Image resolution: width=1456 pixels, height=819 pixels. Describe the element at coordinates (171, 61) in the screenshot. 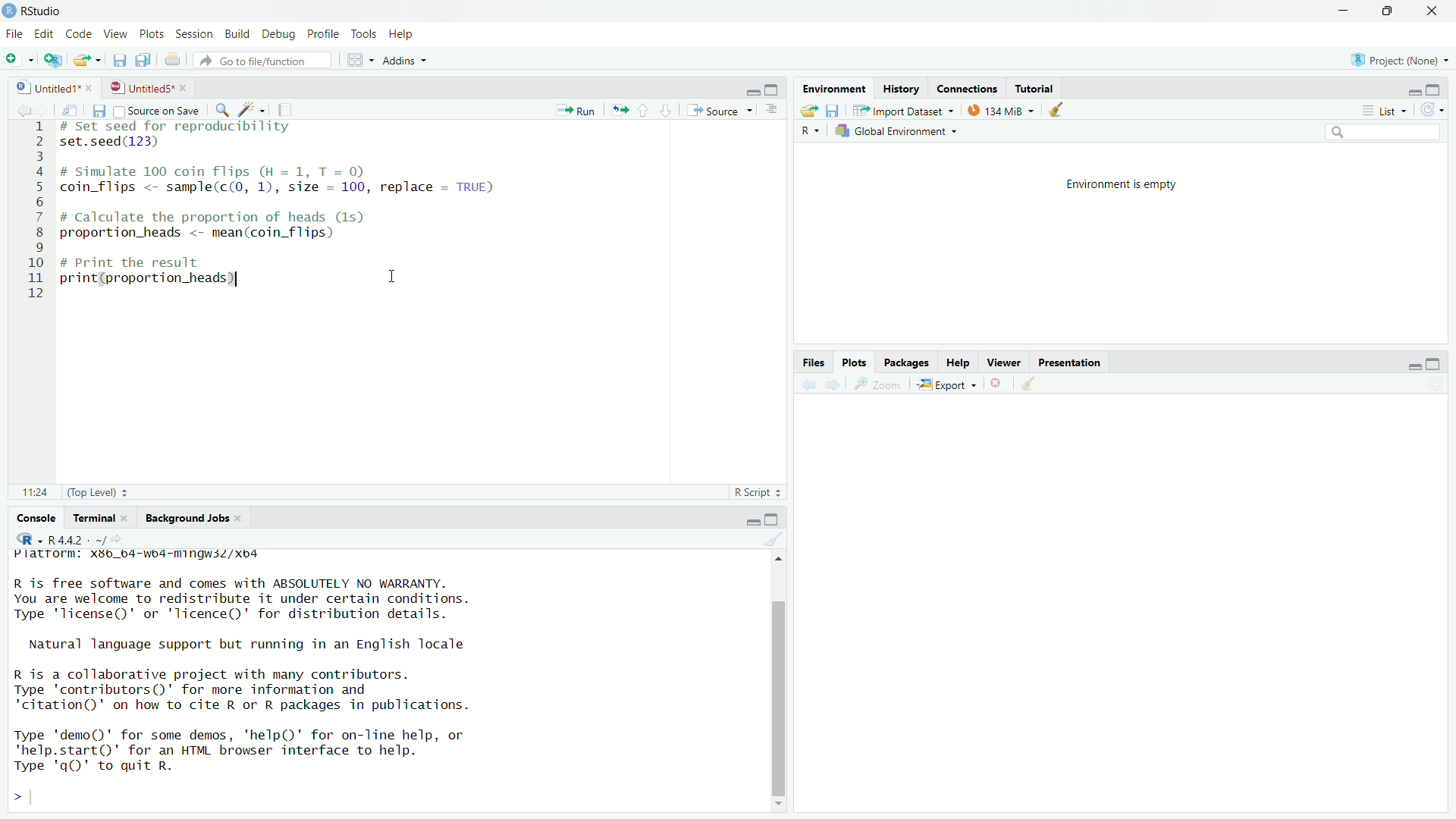

I see `print the current file` at that location.